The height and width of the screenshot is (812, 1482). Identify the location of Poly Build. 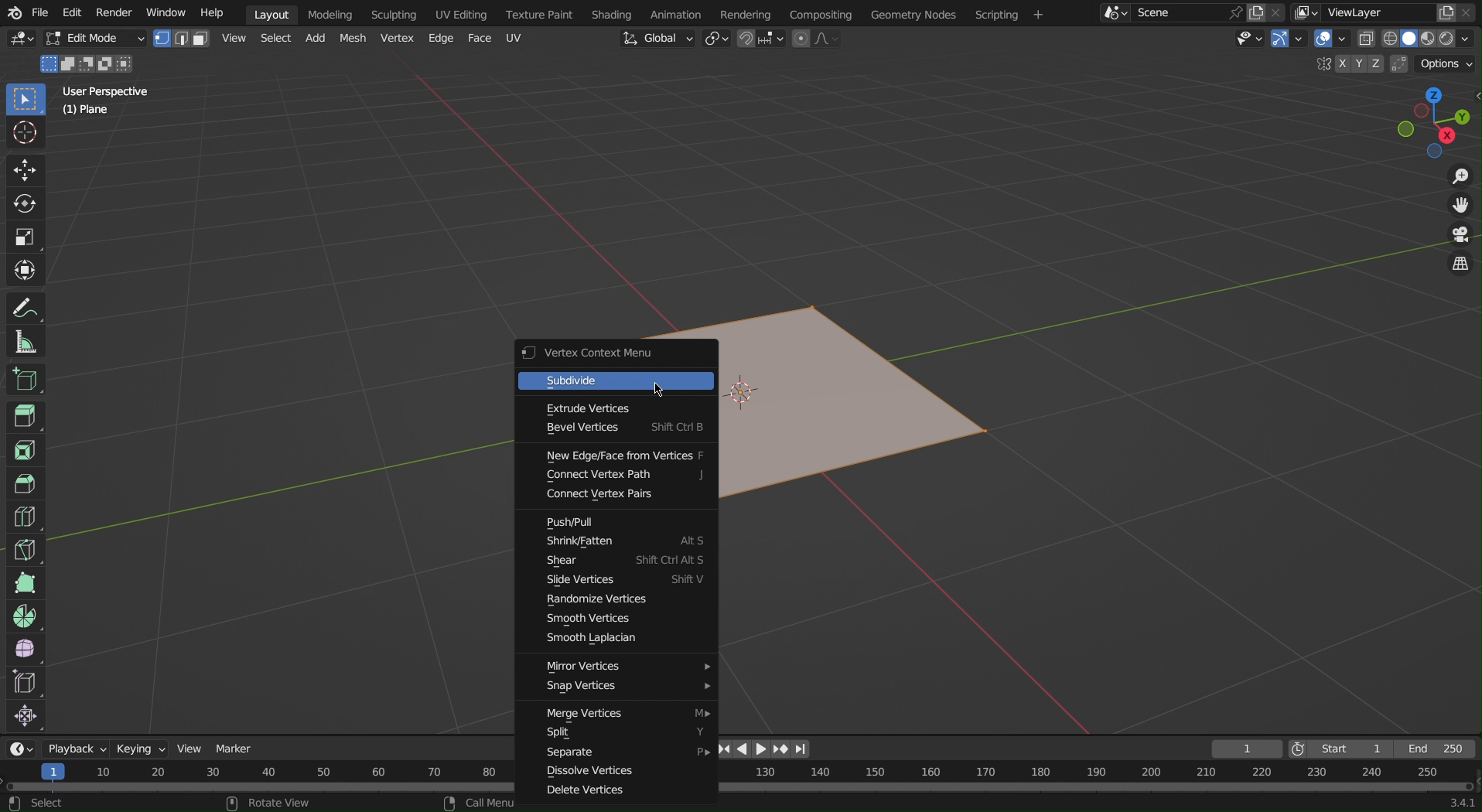
(24, 583).